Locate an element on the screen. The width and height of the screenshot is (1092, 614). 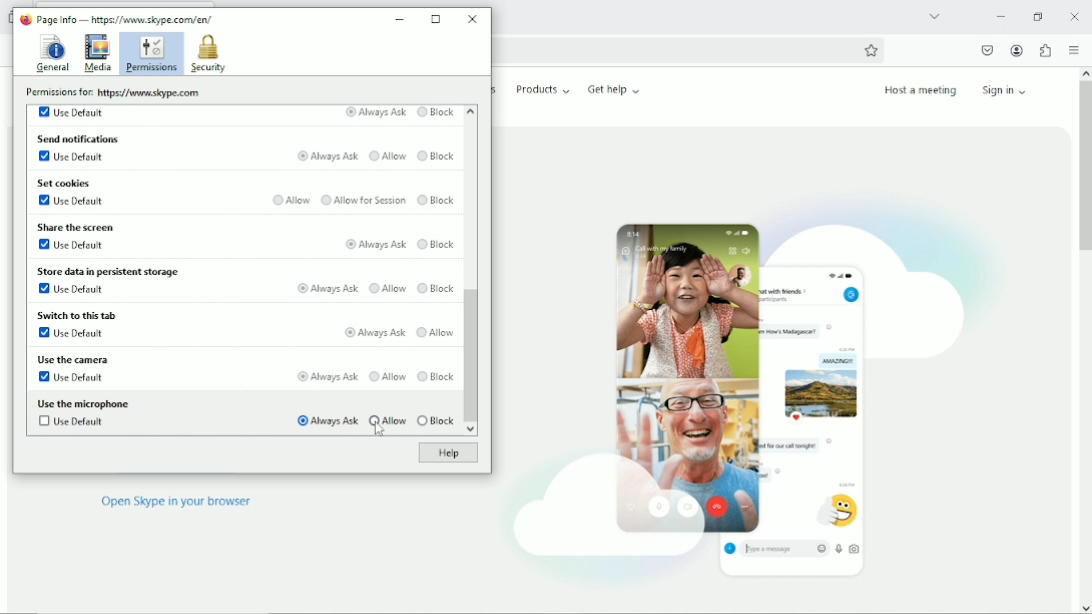
Videocall/chat is located at coordinates (745, 387).